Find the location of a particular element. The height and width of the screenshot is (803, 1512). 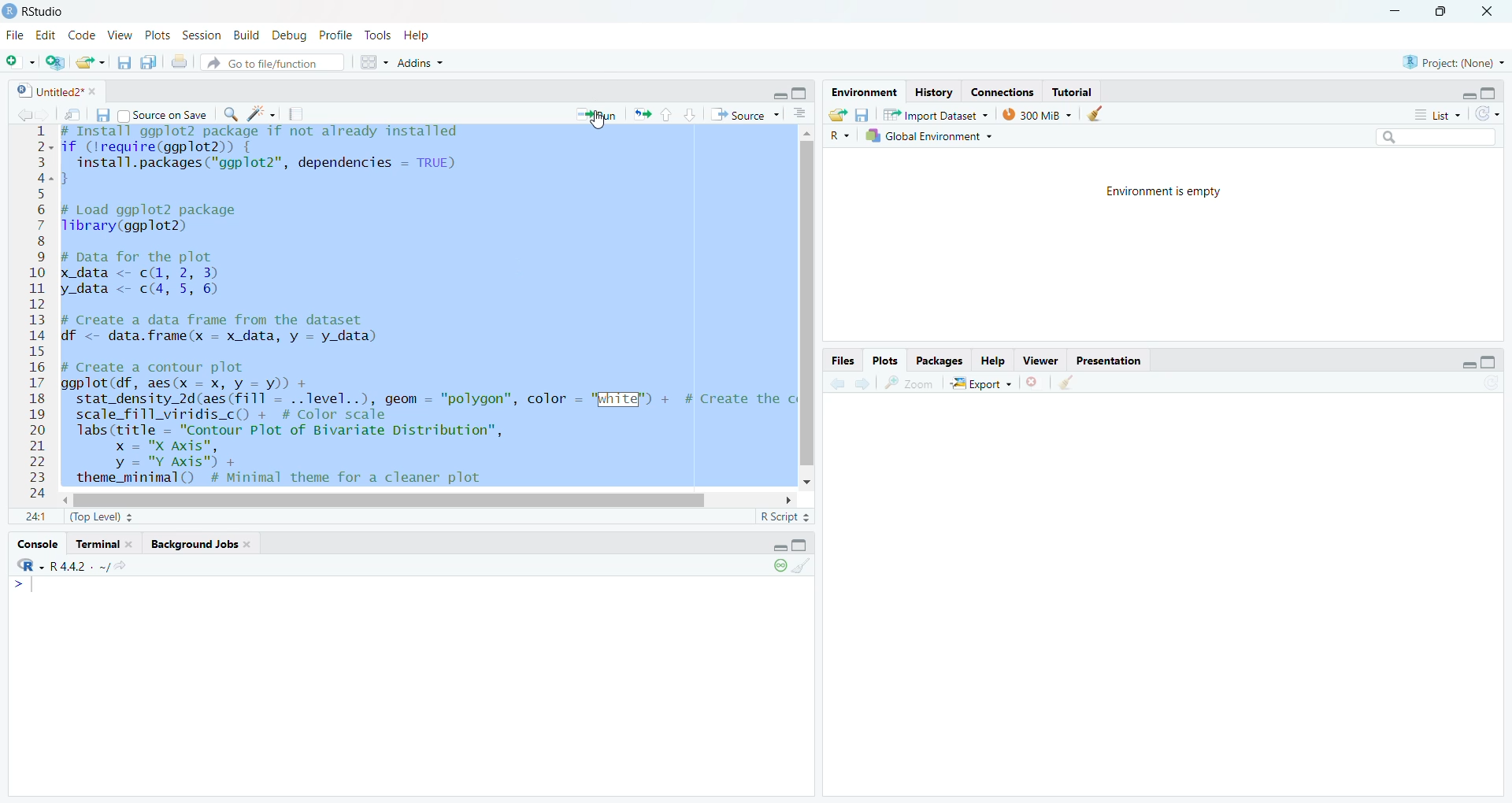

background Jobs is located at coordinates (199, 546).